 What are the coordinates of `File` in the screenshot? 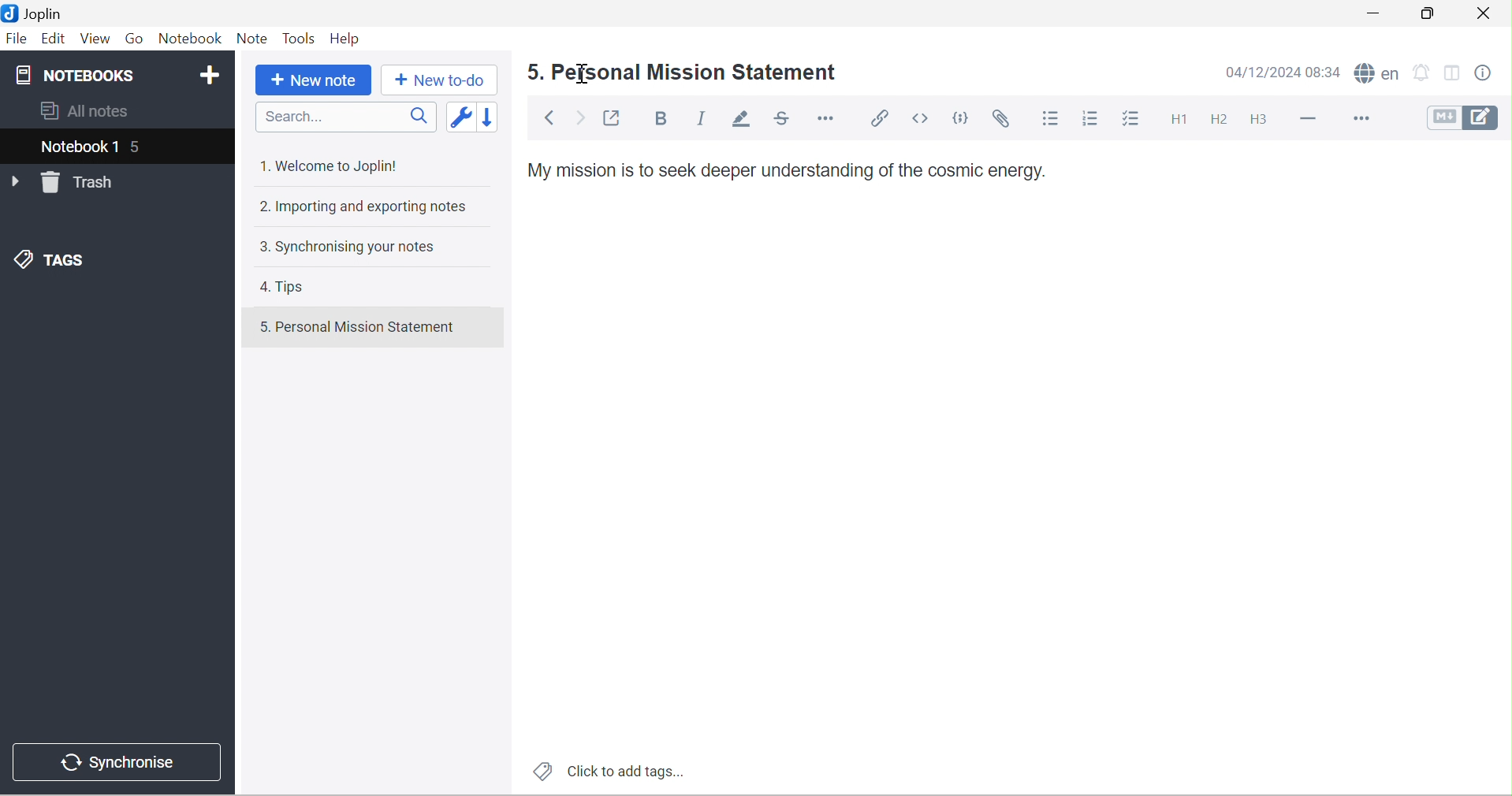 It's located at (17, 38).